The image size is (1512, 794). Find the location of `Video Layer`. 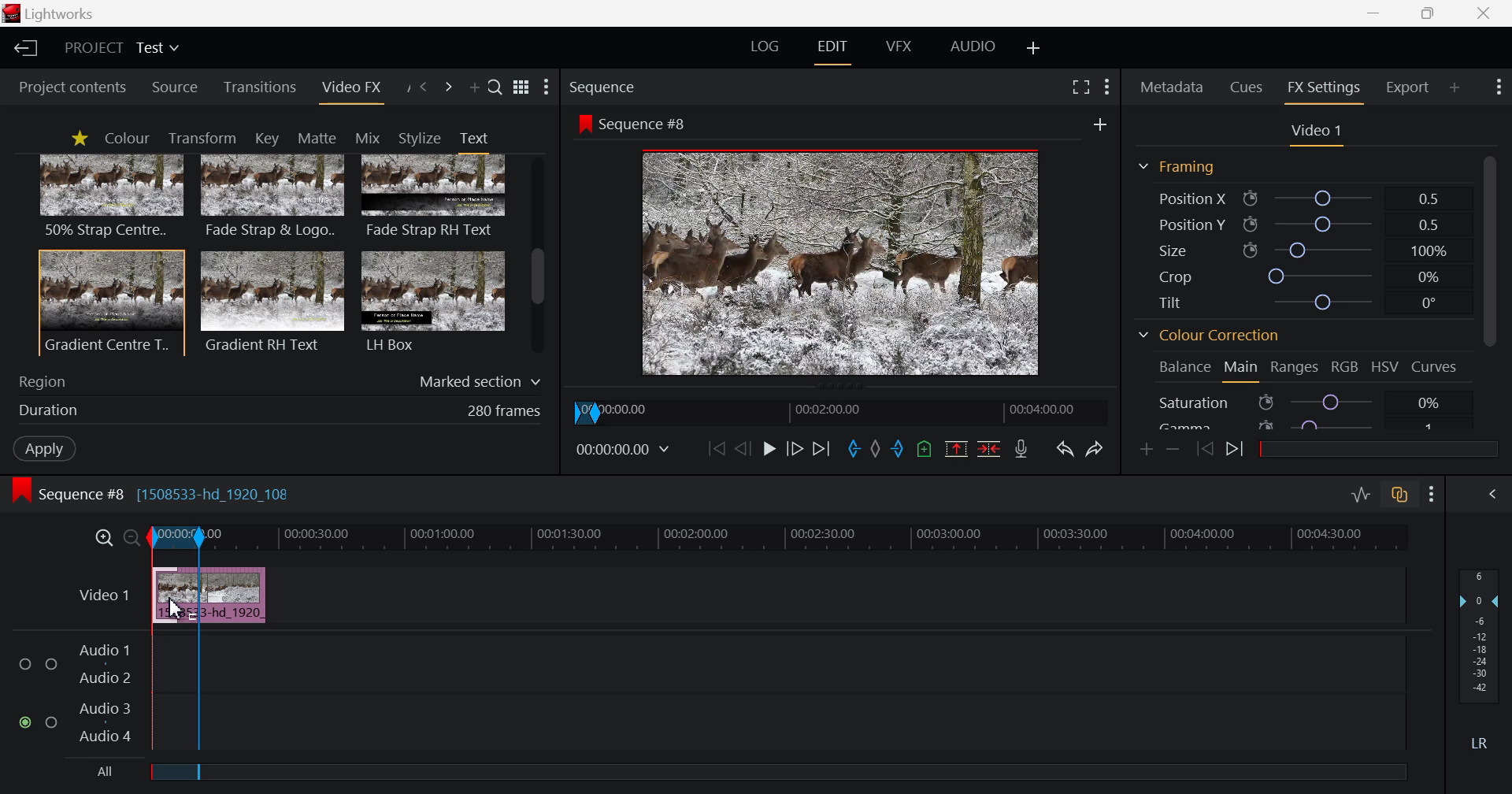

Video Layer is located at coordinates (102, 592).